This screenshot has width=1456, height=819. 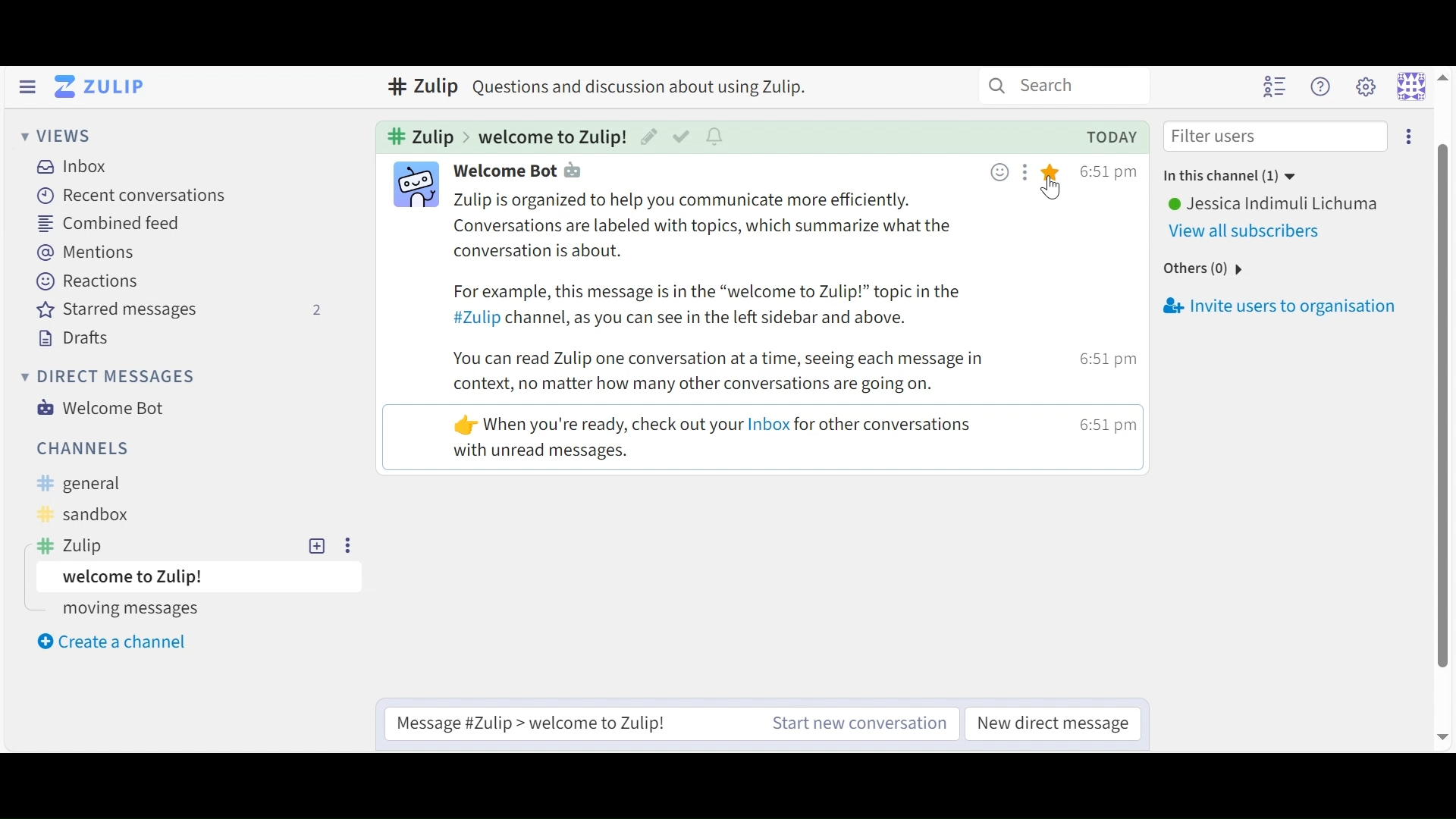 What do you see at coordinates (102, 224) in the screenshot?
I see `Combined Feed` at bounding box center [102, 224].